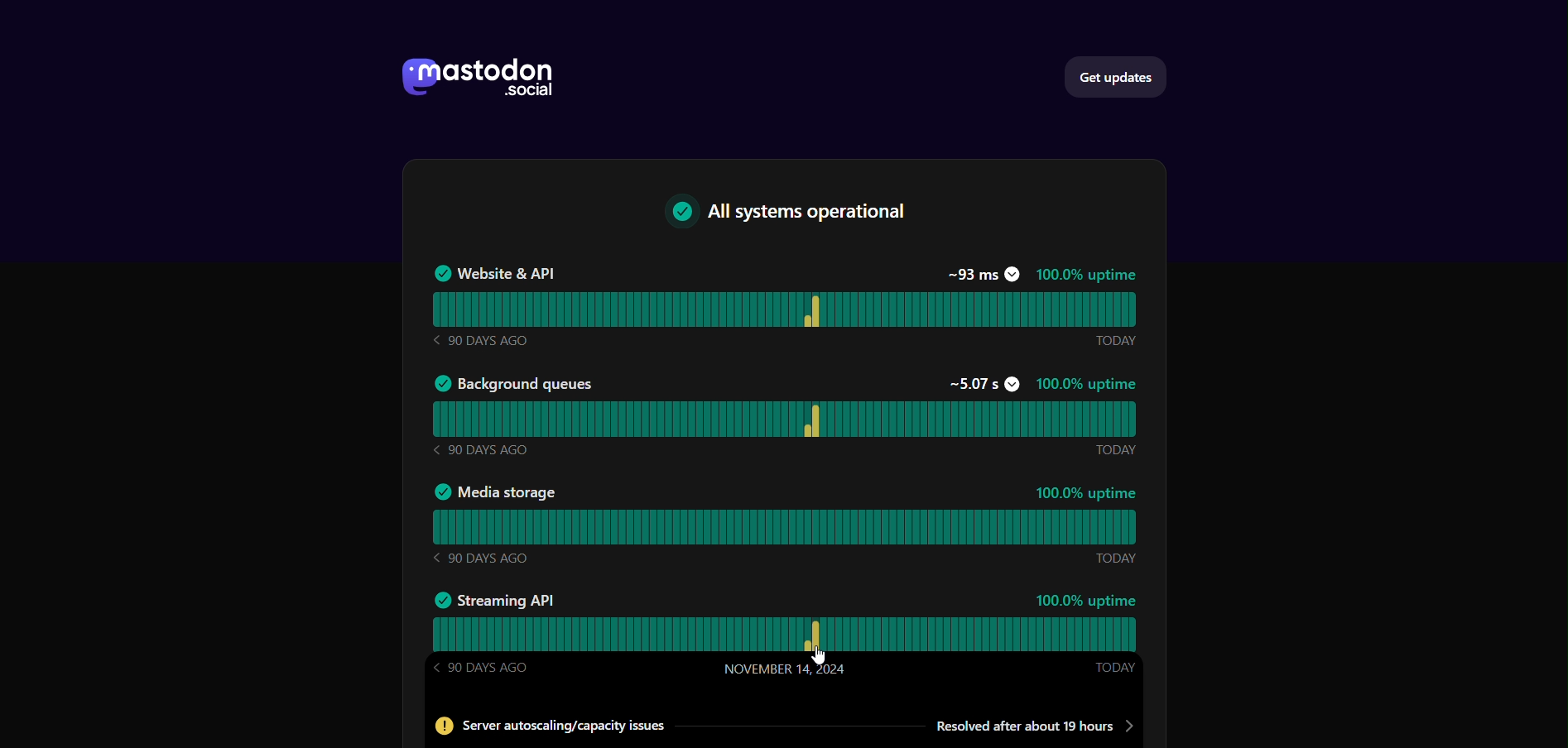 This screenshot has height=748, width=1568. Describe the element at coordinates (479, 340) in the screenshot. I see `90 Days Ago` at that location.